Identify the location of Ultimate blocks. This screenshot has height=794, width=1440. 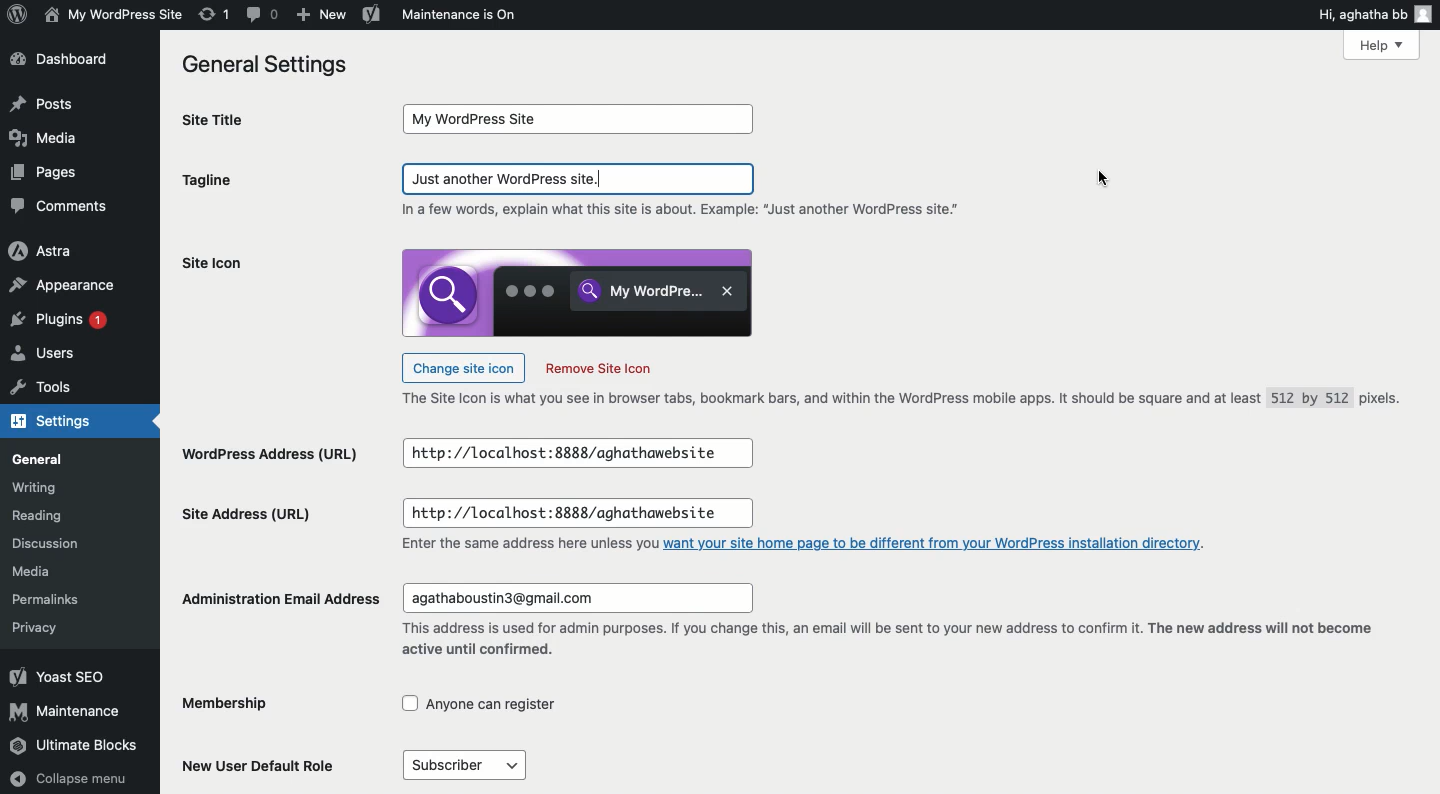
(76, 747).